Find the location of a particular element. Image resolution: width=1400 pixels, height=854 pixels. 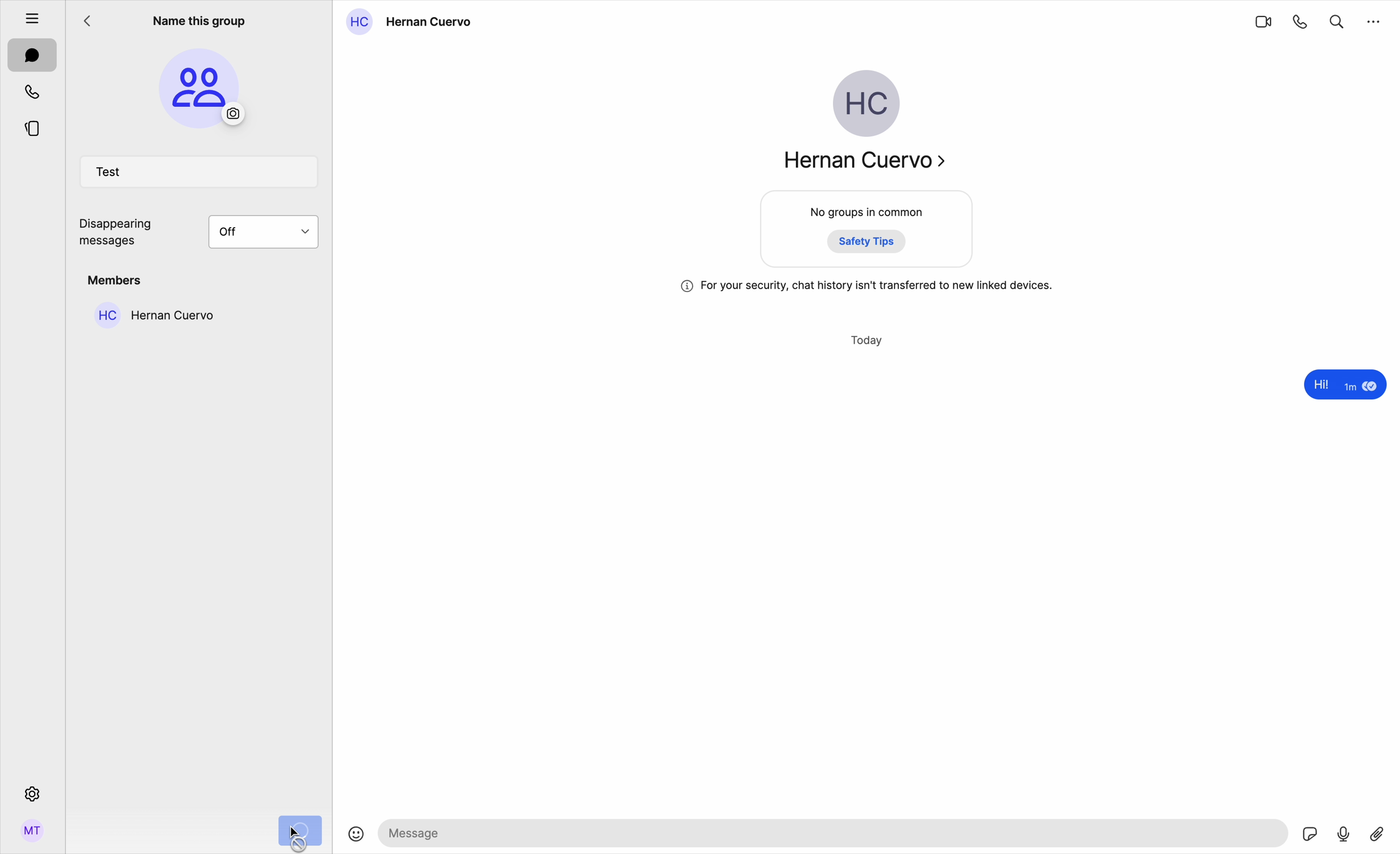

Test is located at coordinates (201, 174).